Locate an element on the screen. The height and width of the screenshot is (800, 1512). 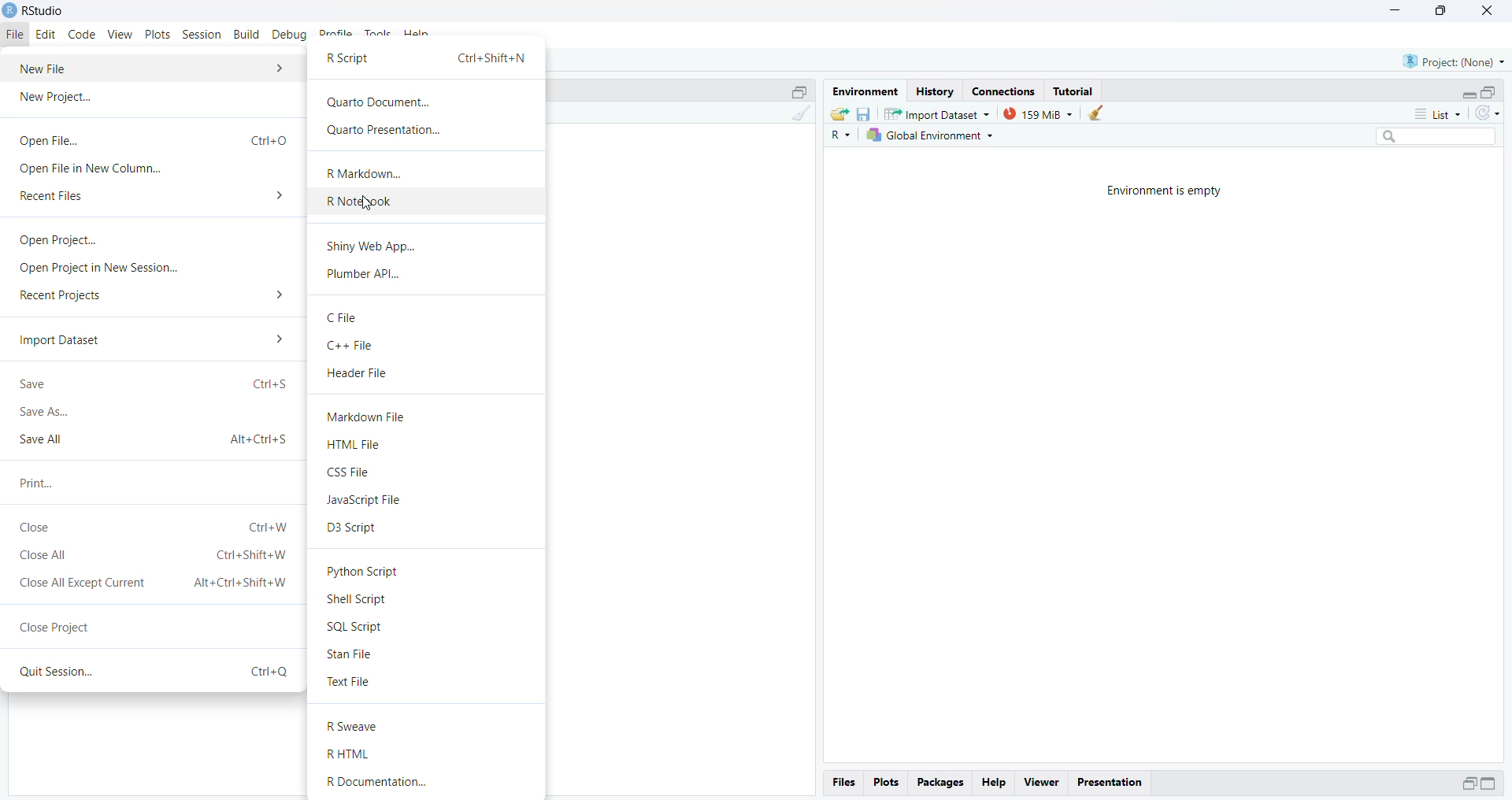
presentation is located at coordinates (1110, 781).